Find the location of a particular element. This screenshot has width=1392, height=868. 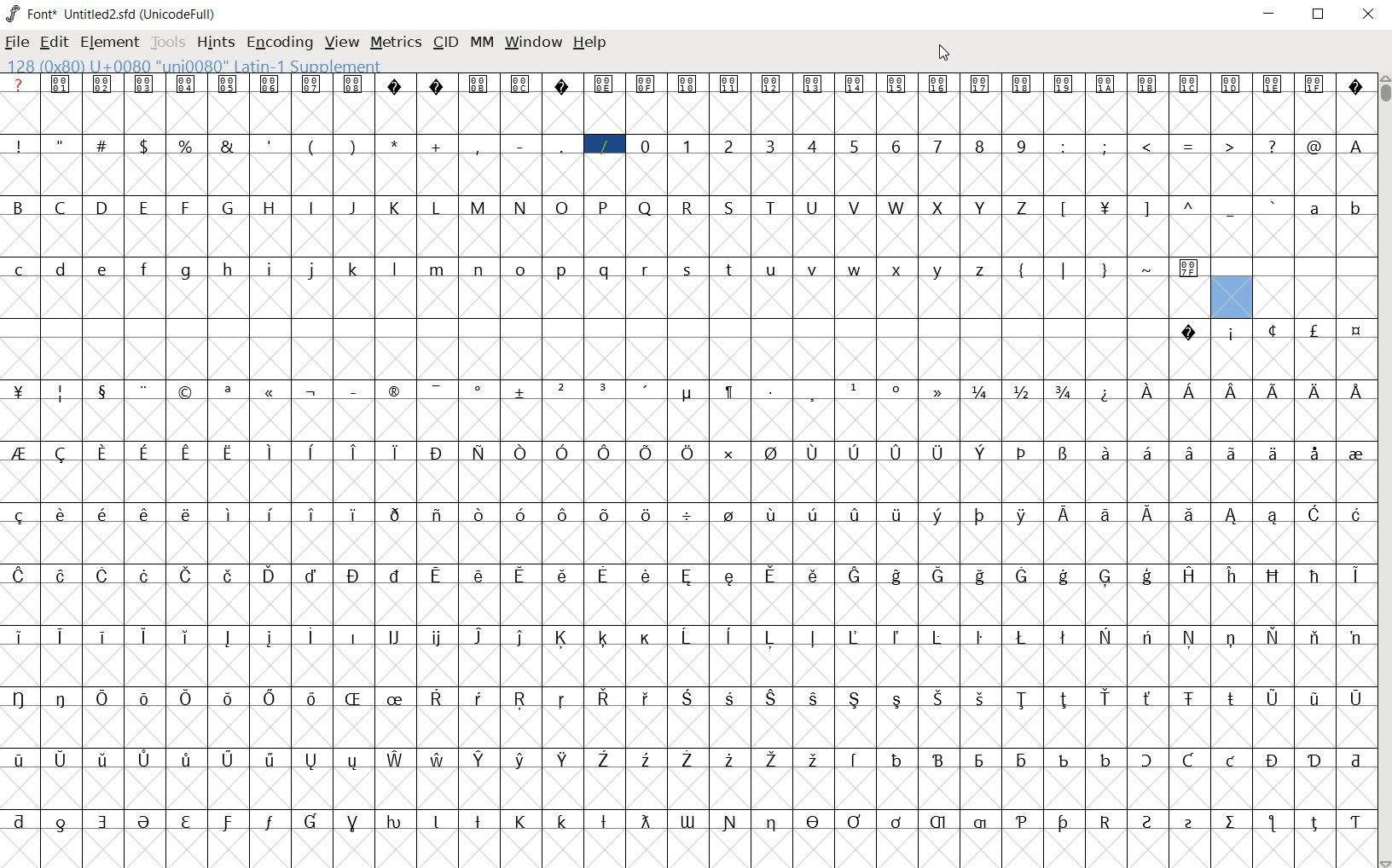

glyph is located at coordinates (143, 207).